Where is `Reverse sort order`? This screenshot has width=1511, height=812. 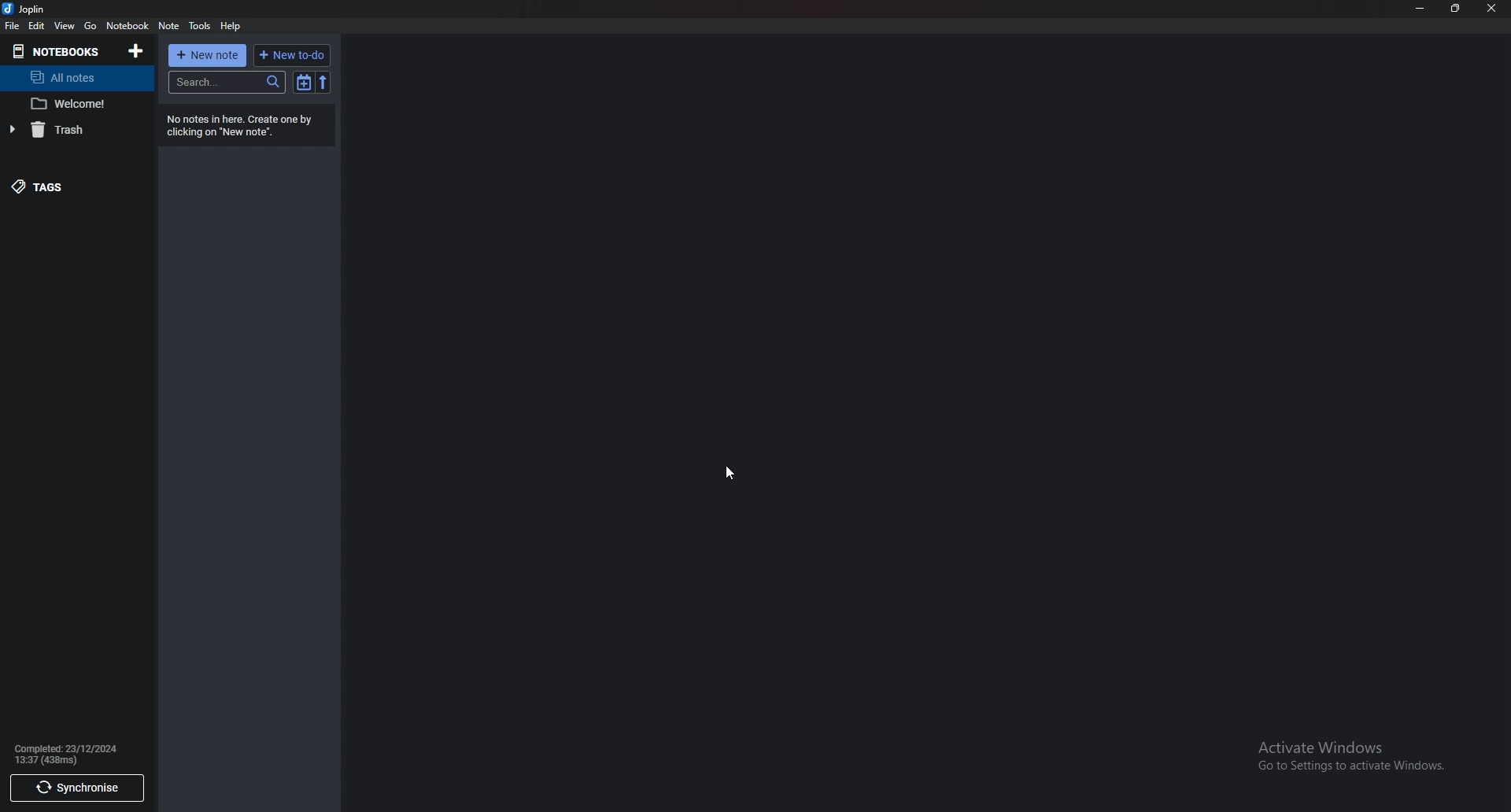
Reverse sort order is located at coordinates (323, 82).